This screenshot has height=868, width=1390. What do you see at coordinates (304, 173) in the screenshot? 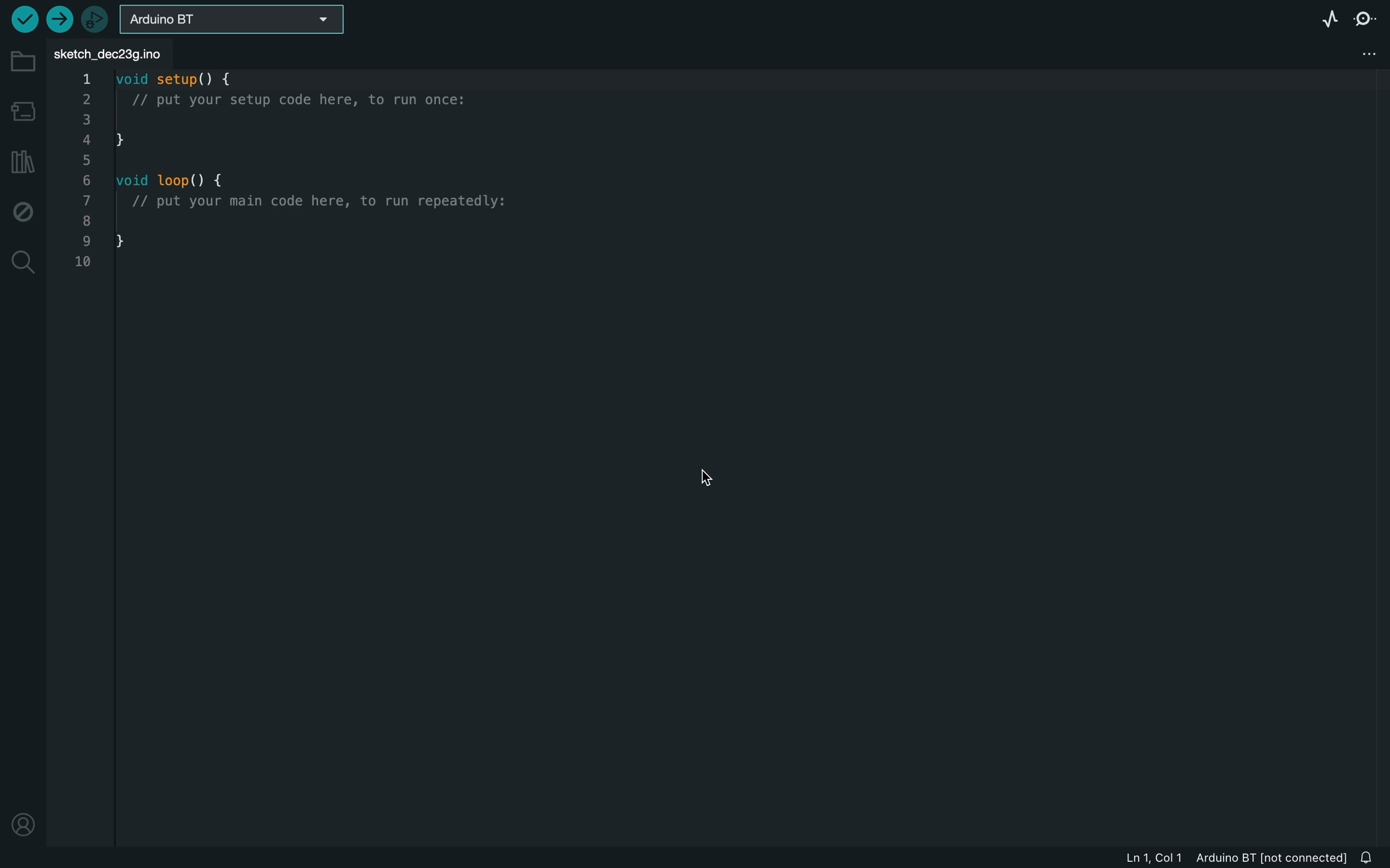
I see `code` at bounding box center [304, 173].